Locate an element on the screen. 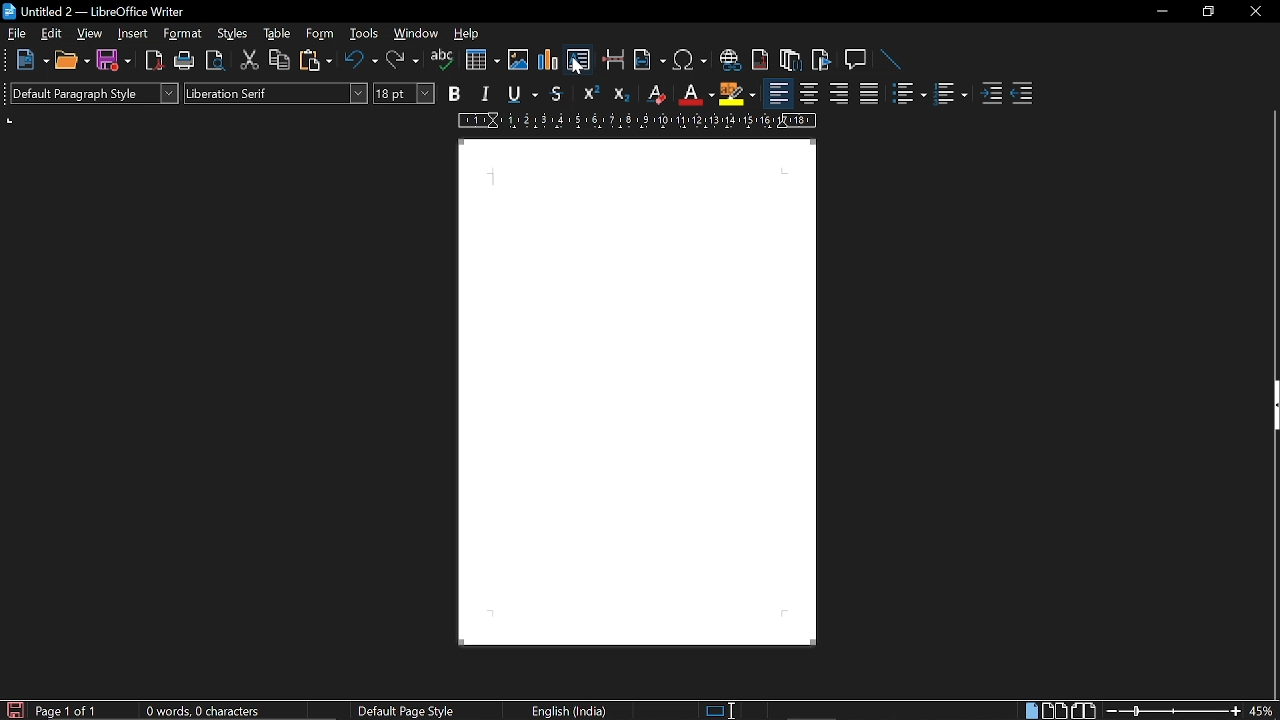 The height and width of the screenshot is (720, 1280). format is located at coordinates (185, 35).